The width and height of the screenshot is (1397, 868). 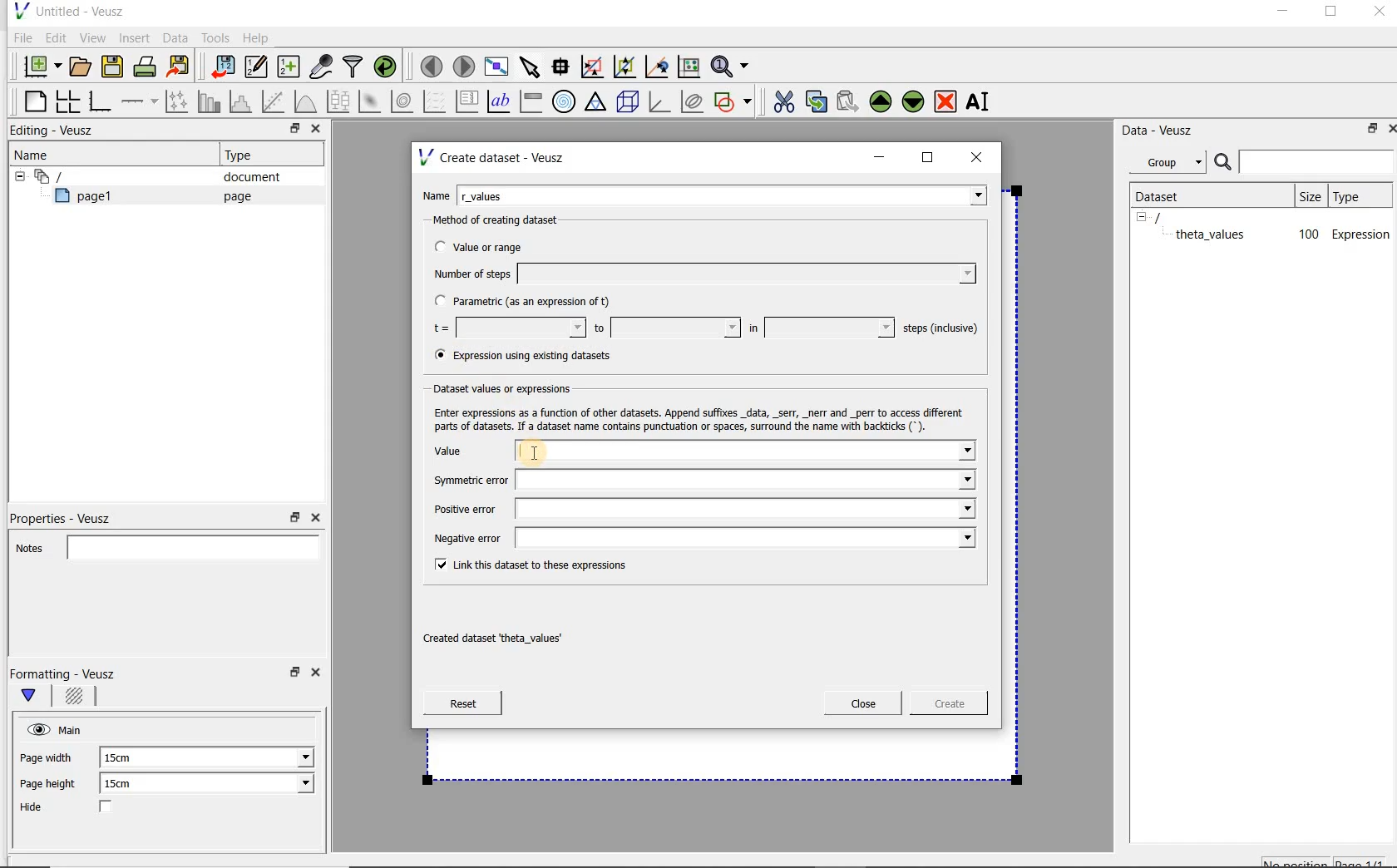 What do you see at coordinates (162, 545) in the screenshot?
I see `Notes` at bounding box center [162, 545].